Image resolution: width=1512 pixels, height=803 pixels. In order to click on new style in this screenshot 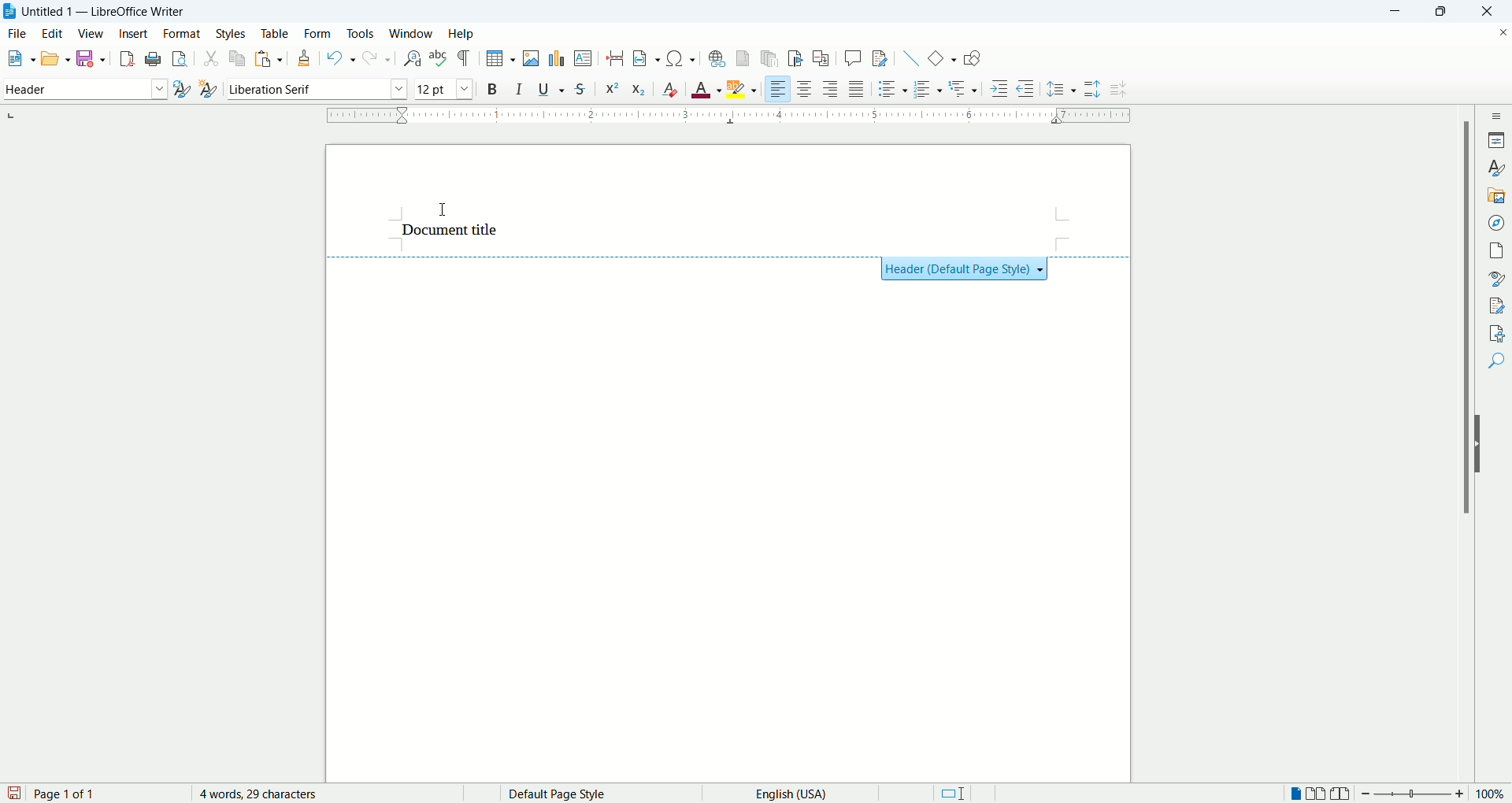, I will do `click(209, 91)`.